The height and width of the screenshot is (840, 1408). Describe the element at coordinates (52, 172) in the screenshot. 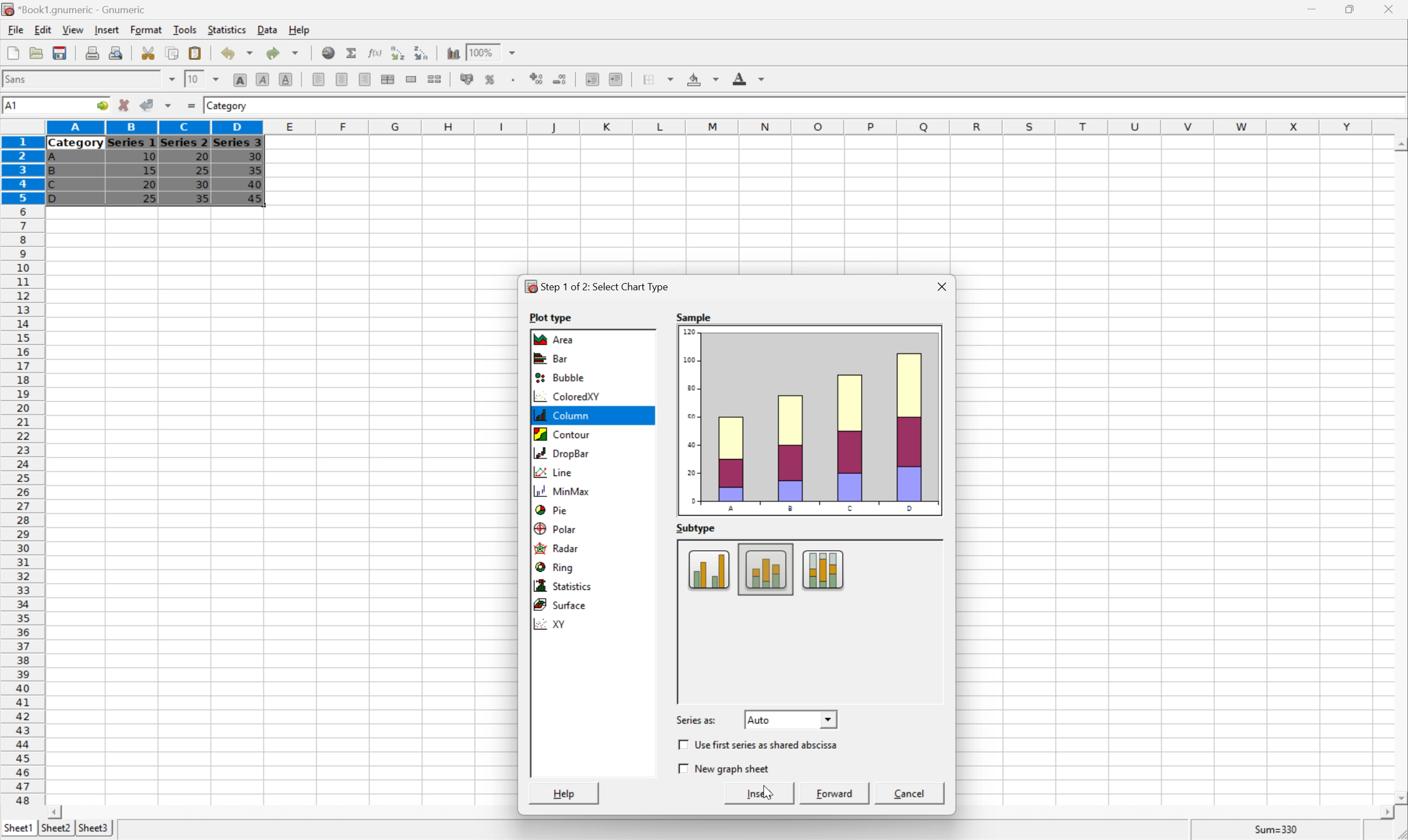

I see `B` at that location.